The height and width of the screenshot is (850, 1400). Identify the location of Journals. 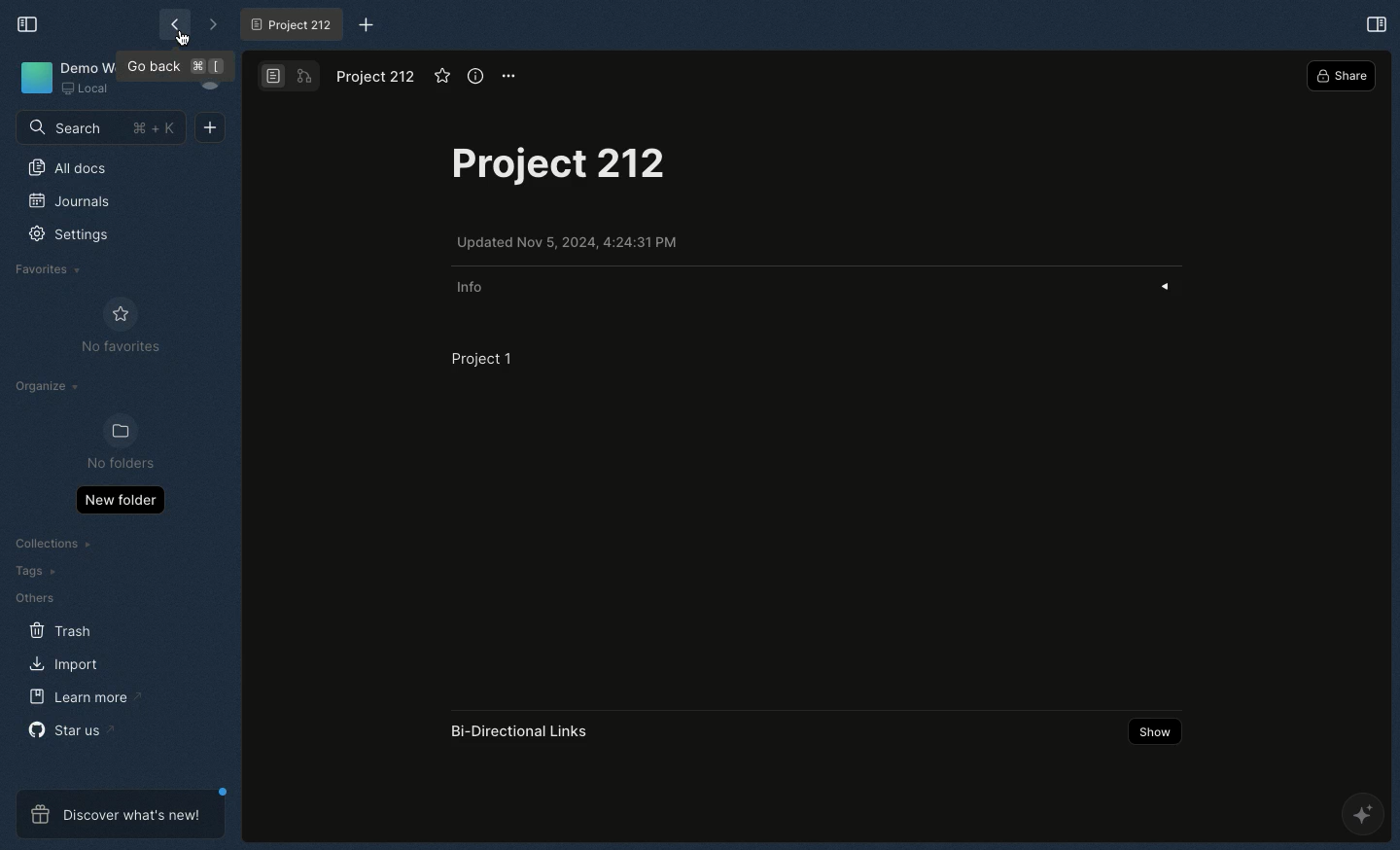
(69, 201).